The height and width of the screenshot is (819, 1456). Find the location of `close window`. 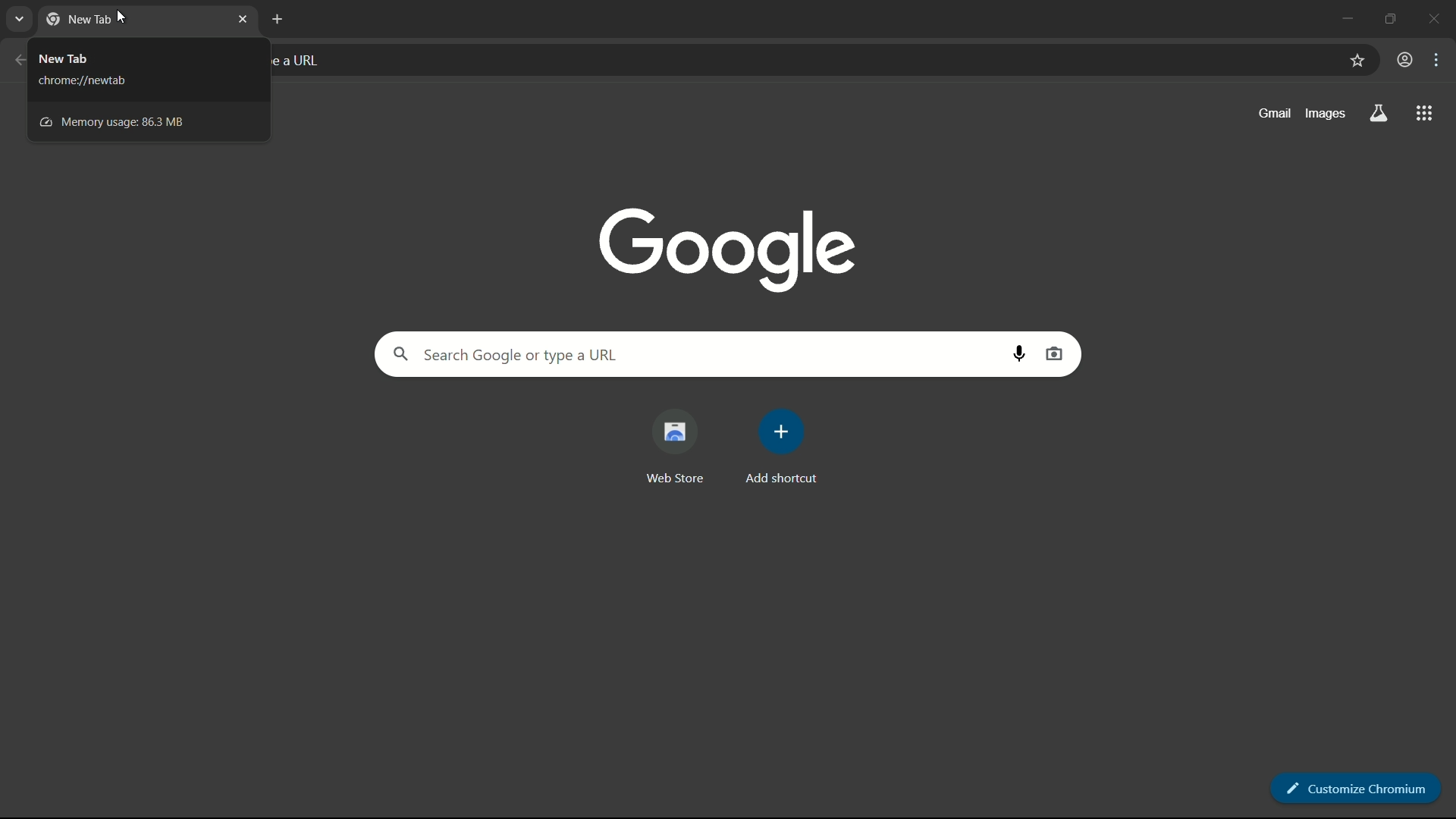

close window is located at coordinates (1439, 17).